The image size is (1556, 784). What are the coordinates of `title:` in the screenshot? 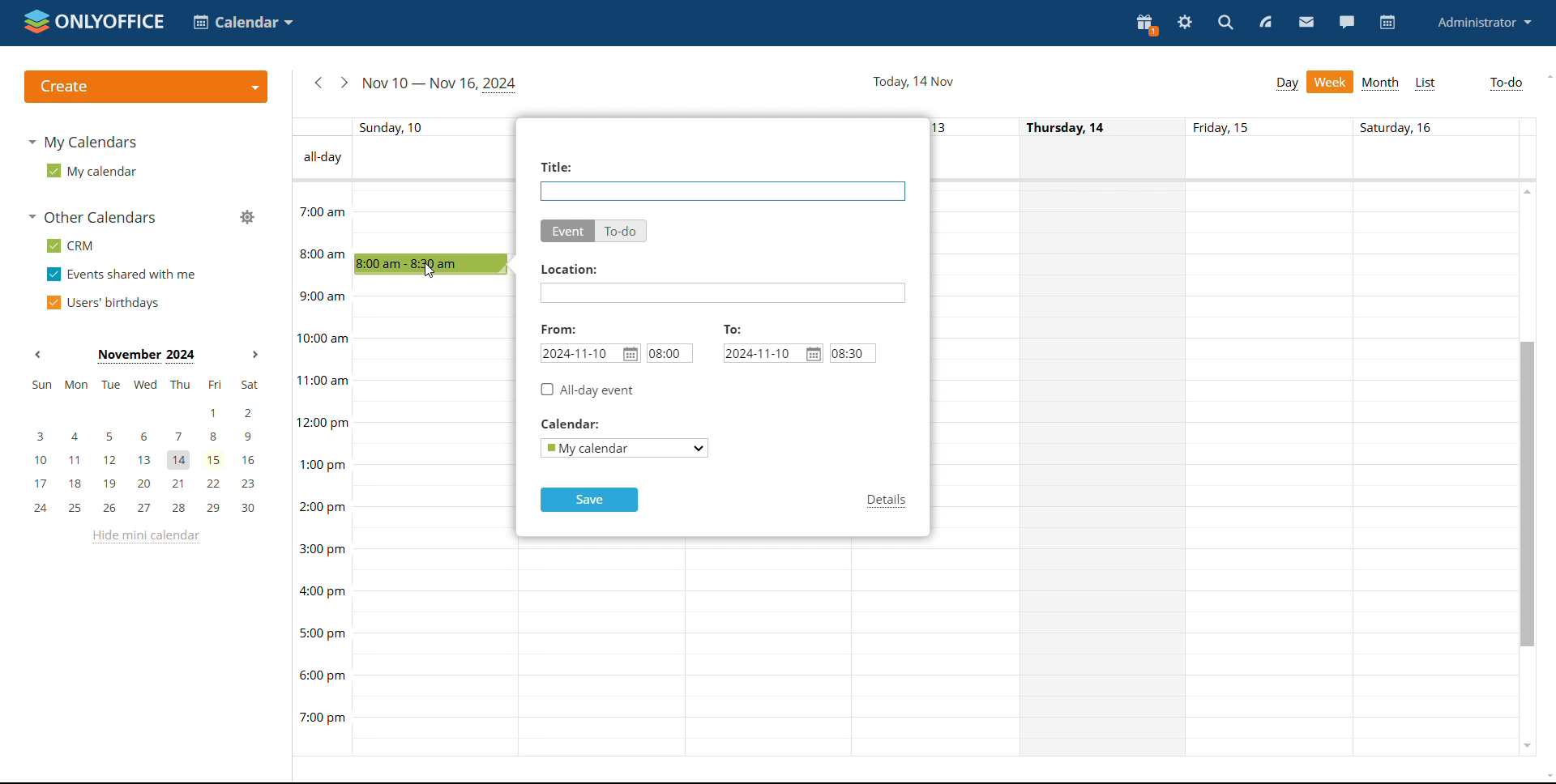 It's located at (555, 165).